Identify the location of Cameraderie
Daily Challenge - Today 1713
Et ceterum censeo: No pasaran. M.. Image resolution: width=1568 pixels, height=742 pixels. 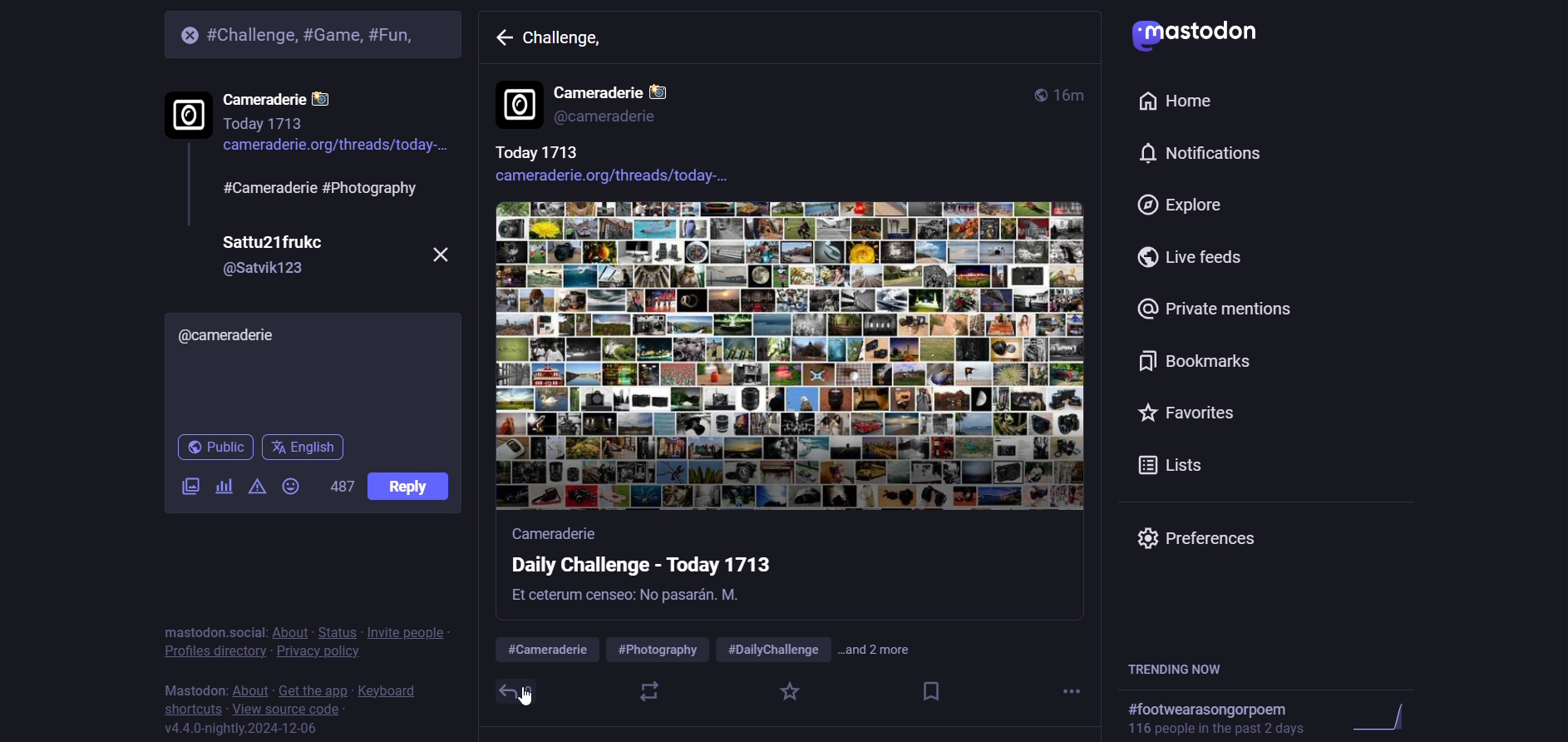
(703, 571).